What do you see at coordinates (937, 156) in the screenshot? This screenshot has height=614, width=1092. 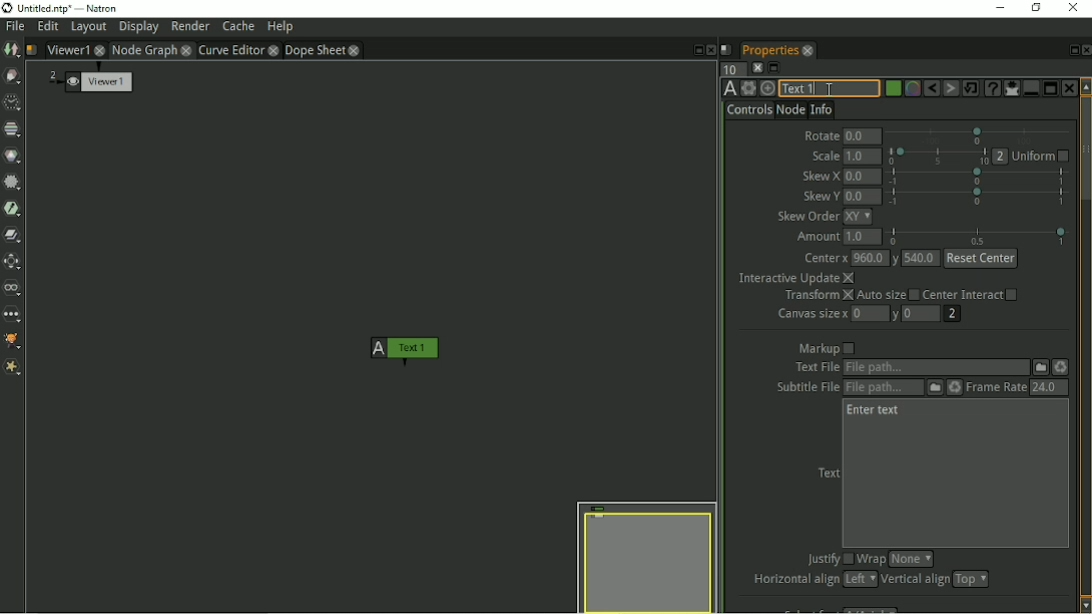 I see `selection bar` at bounding box center [937, 156].